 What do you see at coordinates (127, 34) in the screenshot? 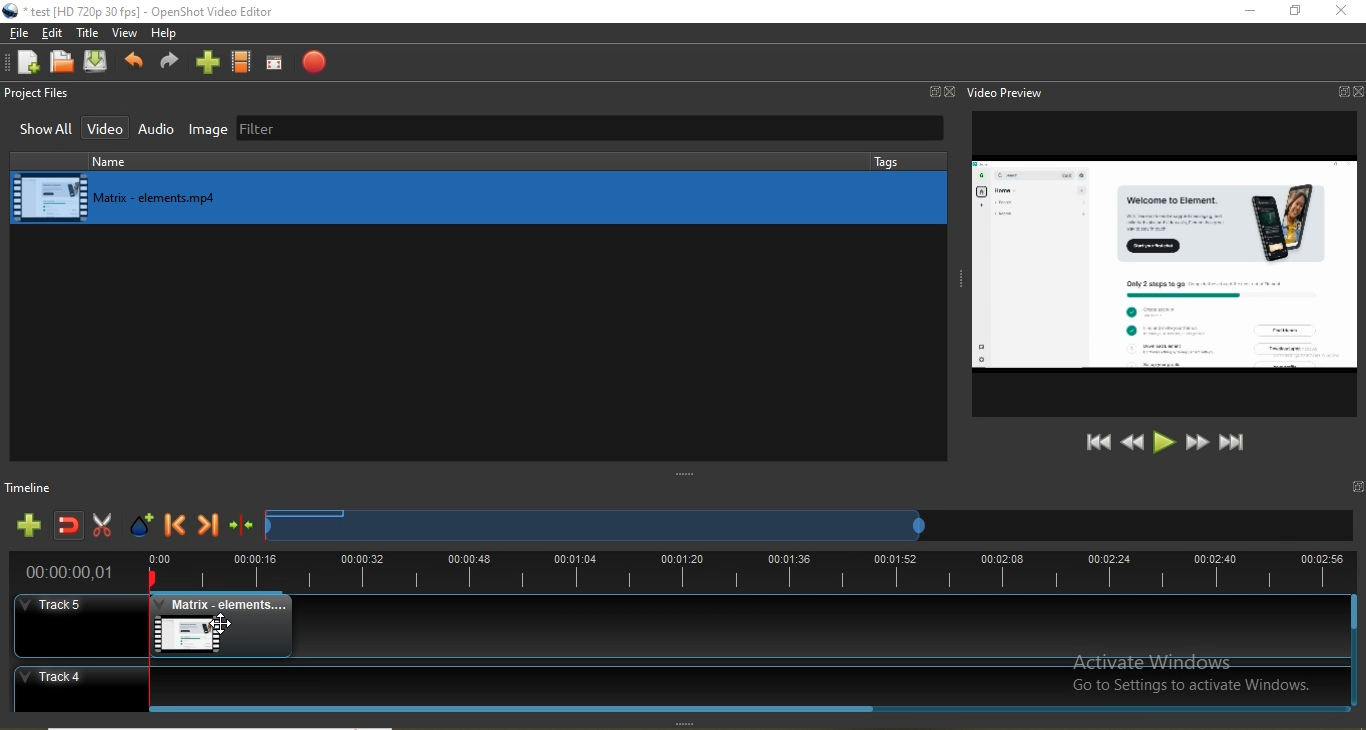
I see `View ` at bounding box center [127, 34].